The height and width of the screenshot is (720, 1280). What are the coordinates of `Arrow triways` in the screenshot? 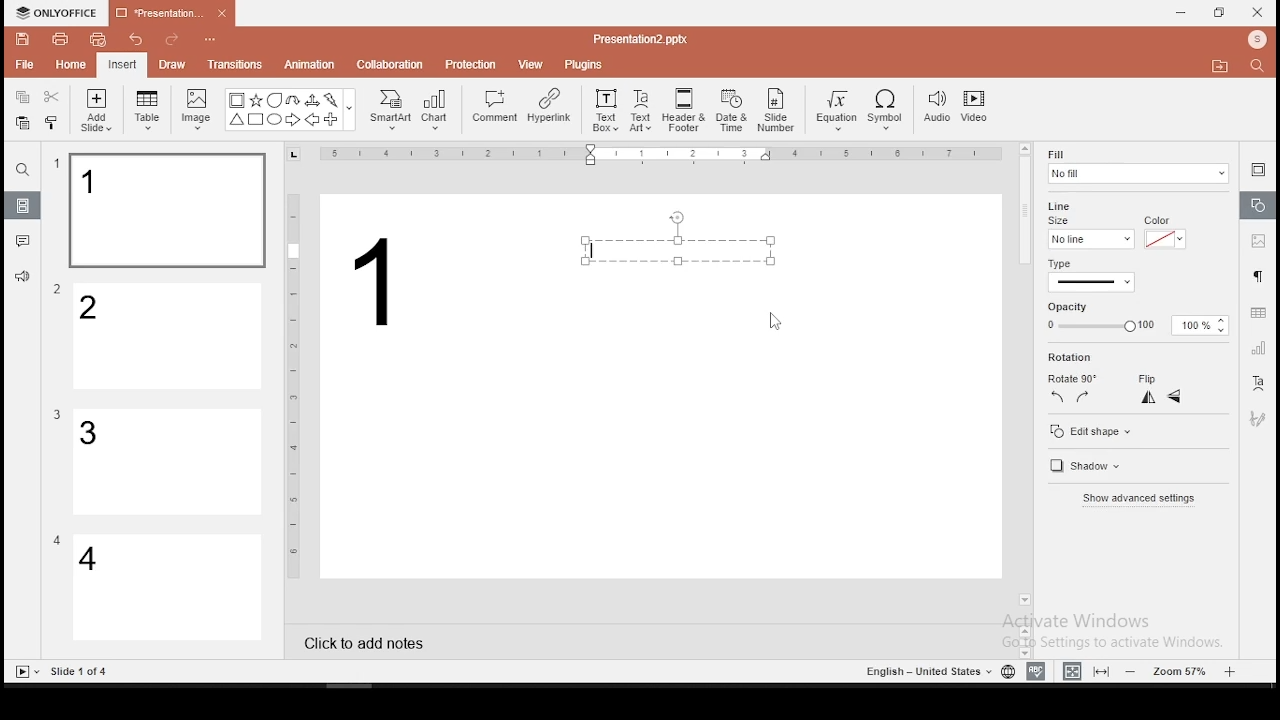 It's located at (313, 100).